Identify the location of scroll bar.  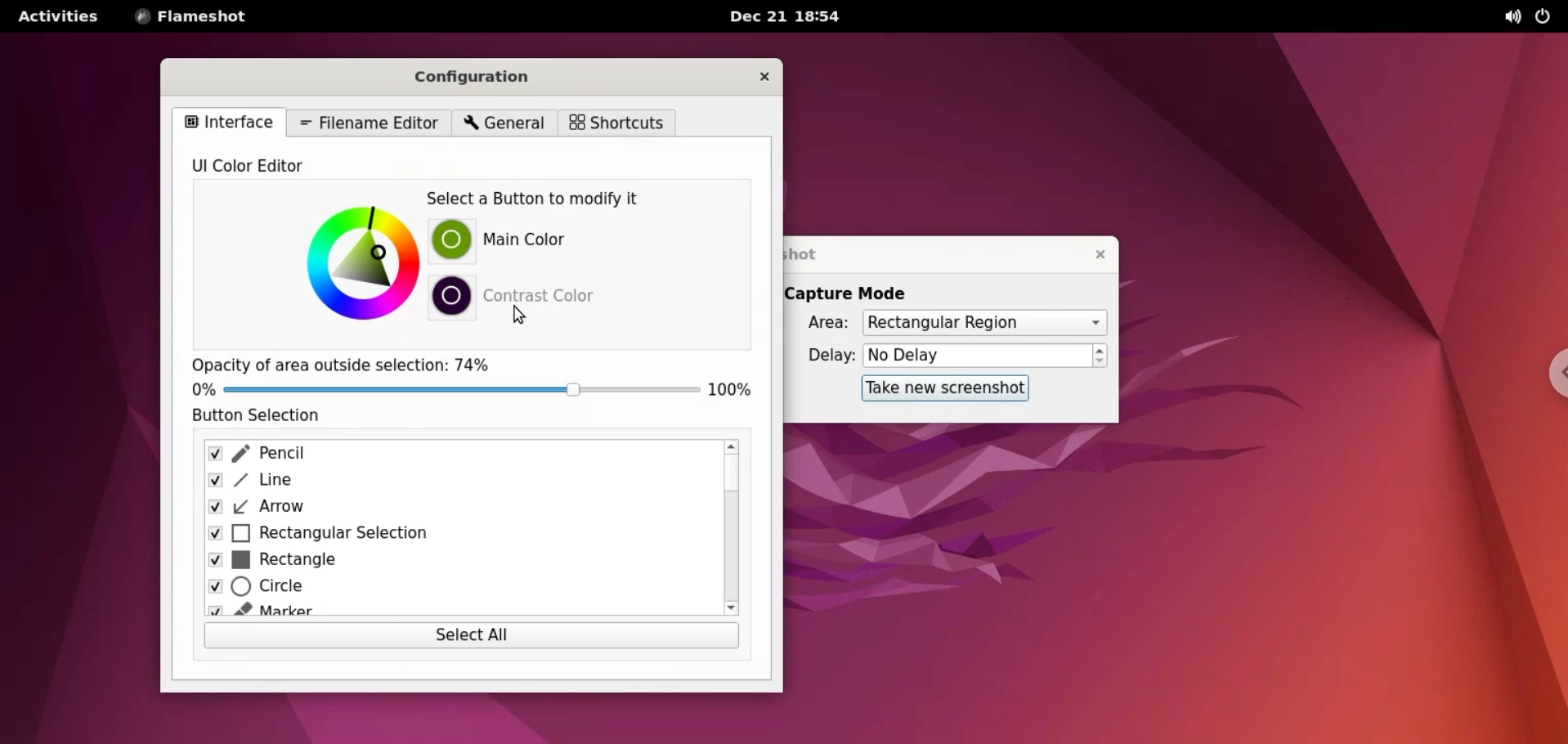
(728, 530).